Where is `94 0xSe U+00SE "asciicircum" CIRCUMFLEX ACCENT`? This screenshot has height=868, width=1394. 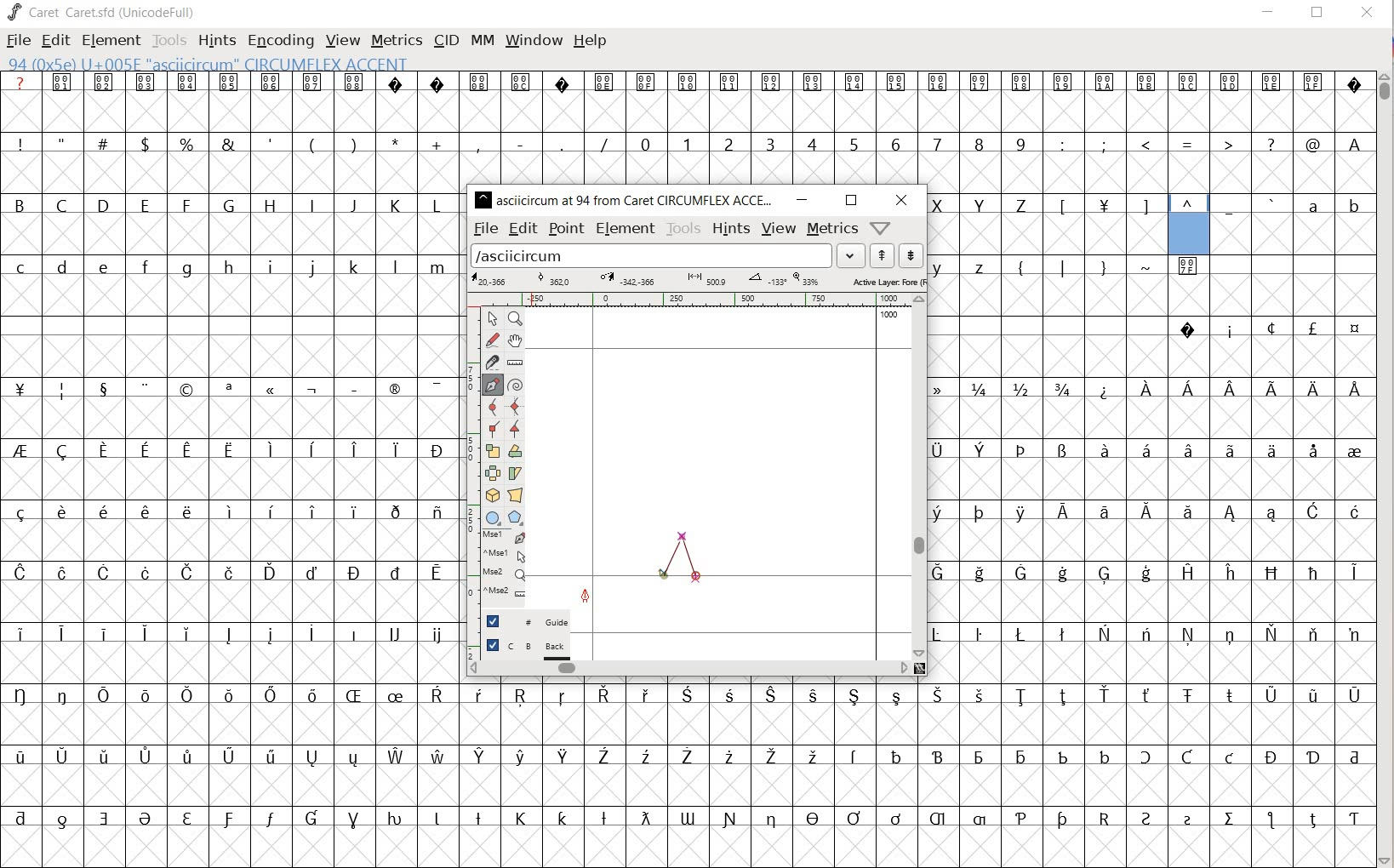
94 0xSe U+00SE "asciicircum" CIRCUMFLEX ACCENT is located at coordinates (1190, 226).